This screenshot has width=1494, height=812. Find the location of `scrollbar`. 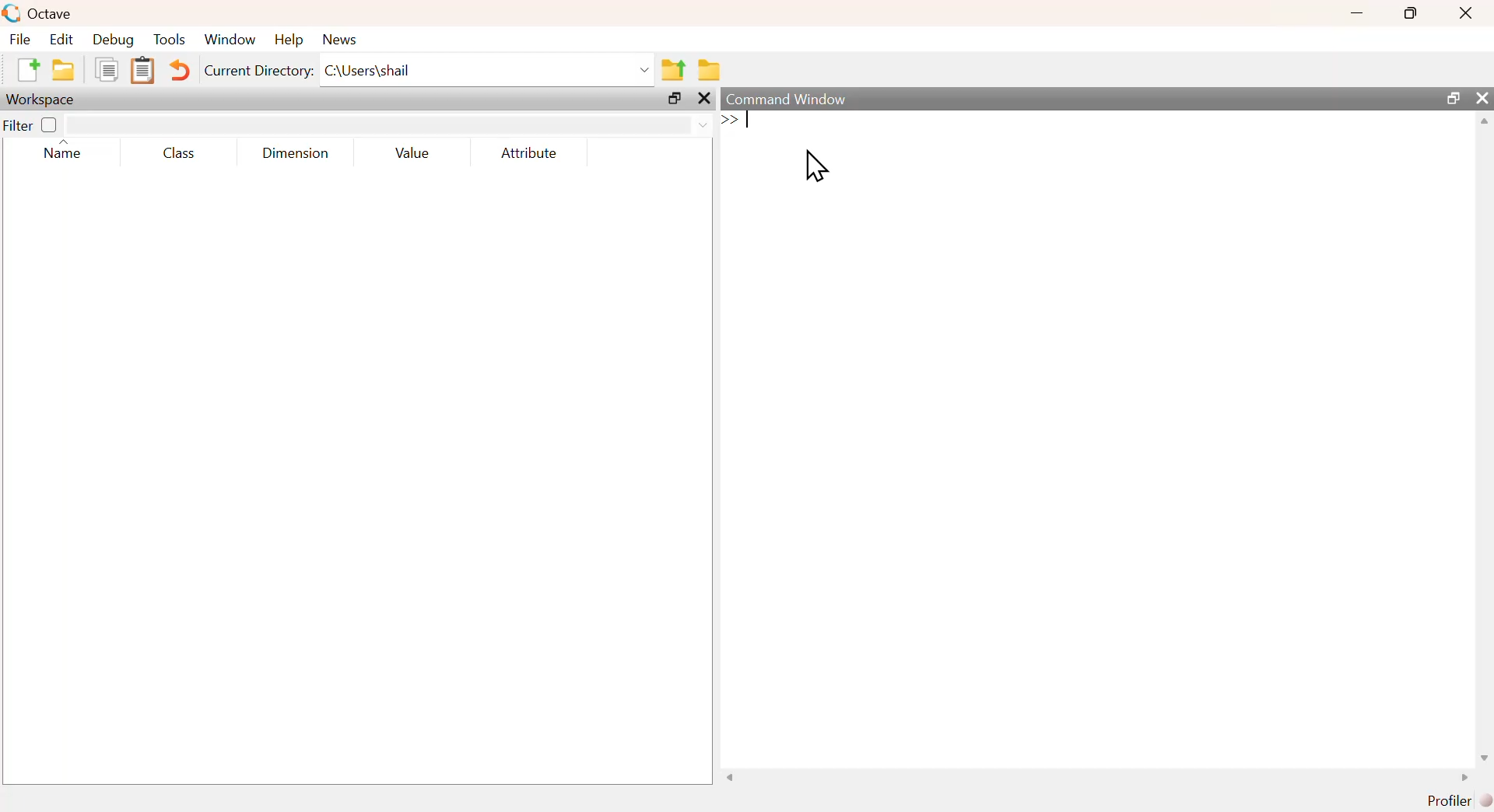

scrollbar is located at coordinates (1098, 777).